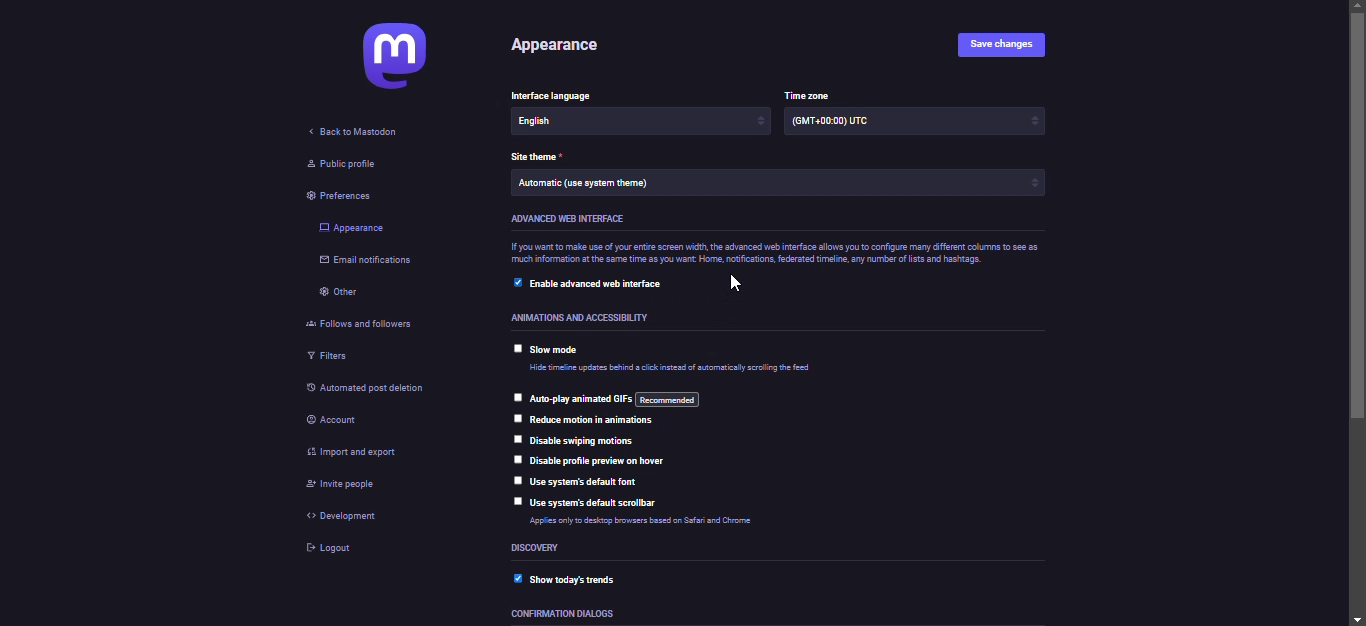  What do you see at coordinates (515, 418) in the screenshot?
I see `click to select` at bounding box center [515, 418].